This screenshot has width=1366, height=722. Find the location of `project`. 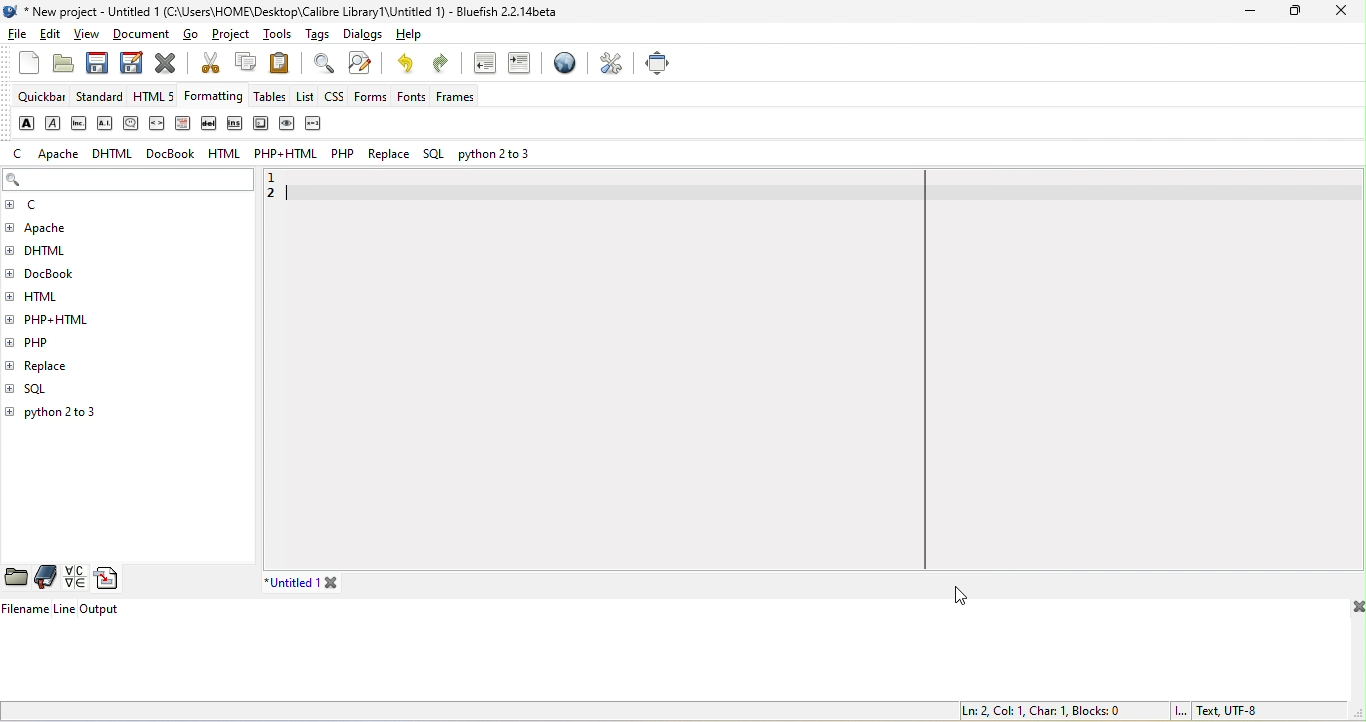

project is located at coordinates (233, 37).